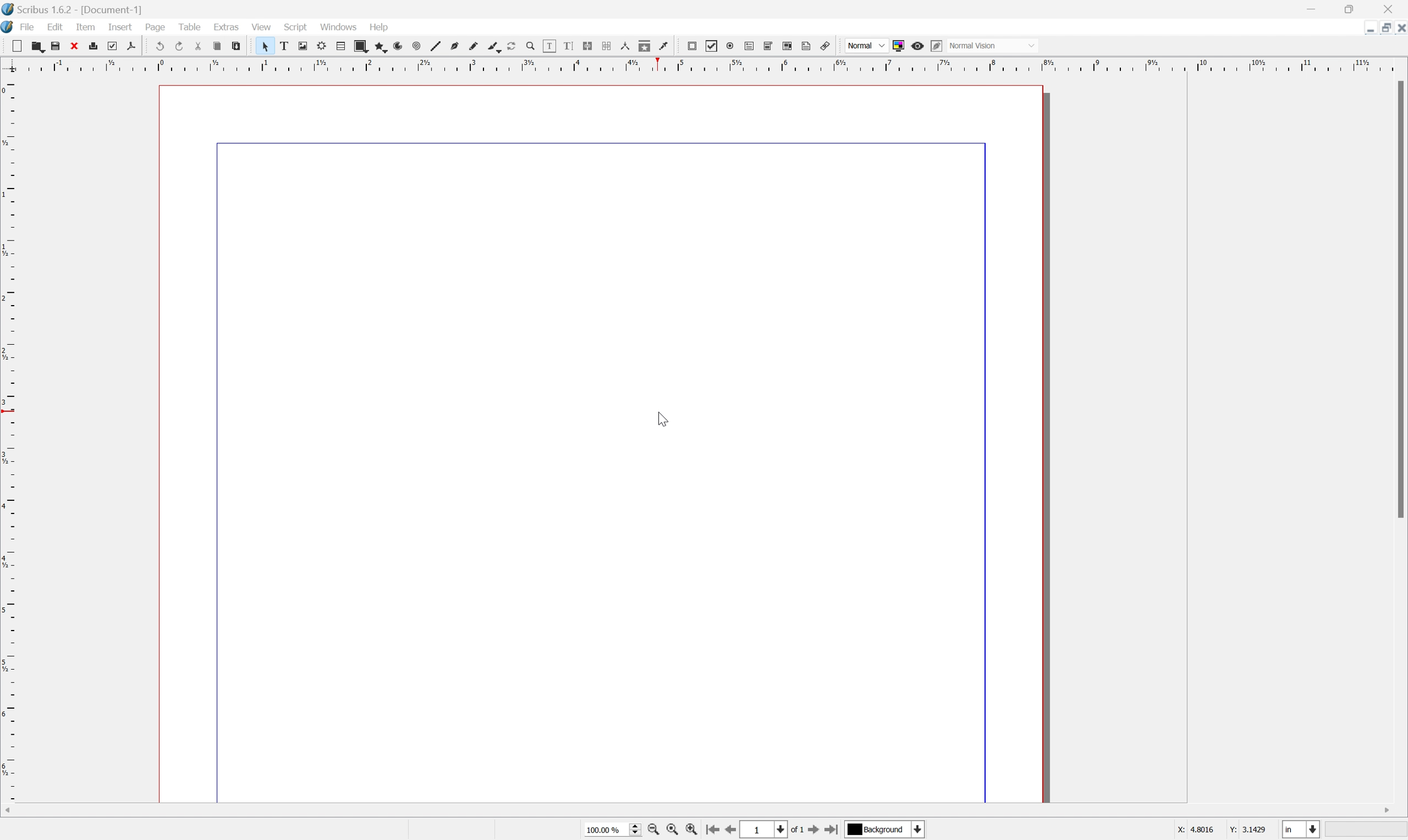 Image resolution: width=1408 pixels, height=840 pixels. What do you see at coordinates (19, 47) in the screenshot?
I see `new` at bounding box center [19, 47].